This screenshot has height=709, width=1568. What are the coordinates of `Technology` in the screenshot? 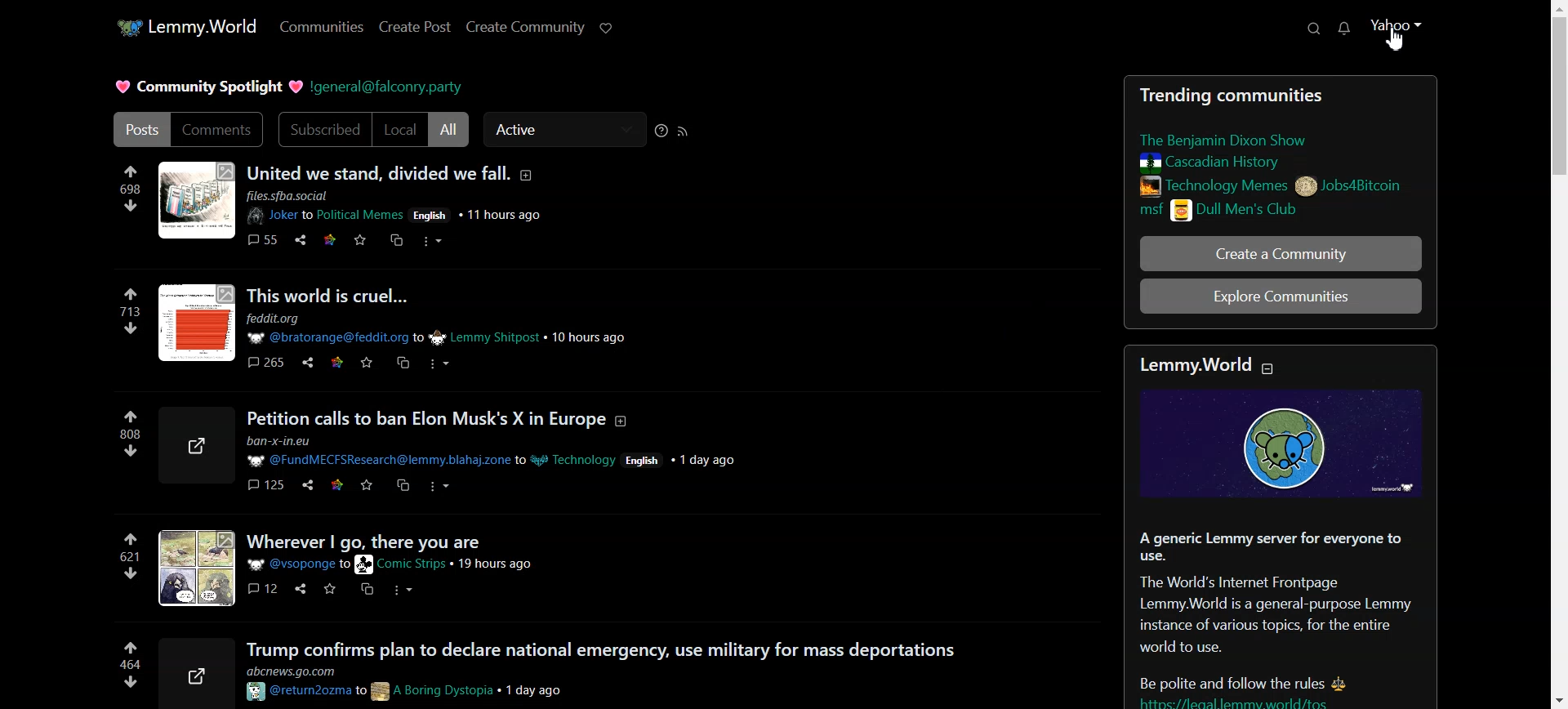 It's located at (568, 462).